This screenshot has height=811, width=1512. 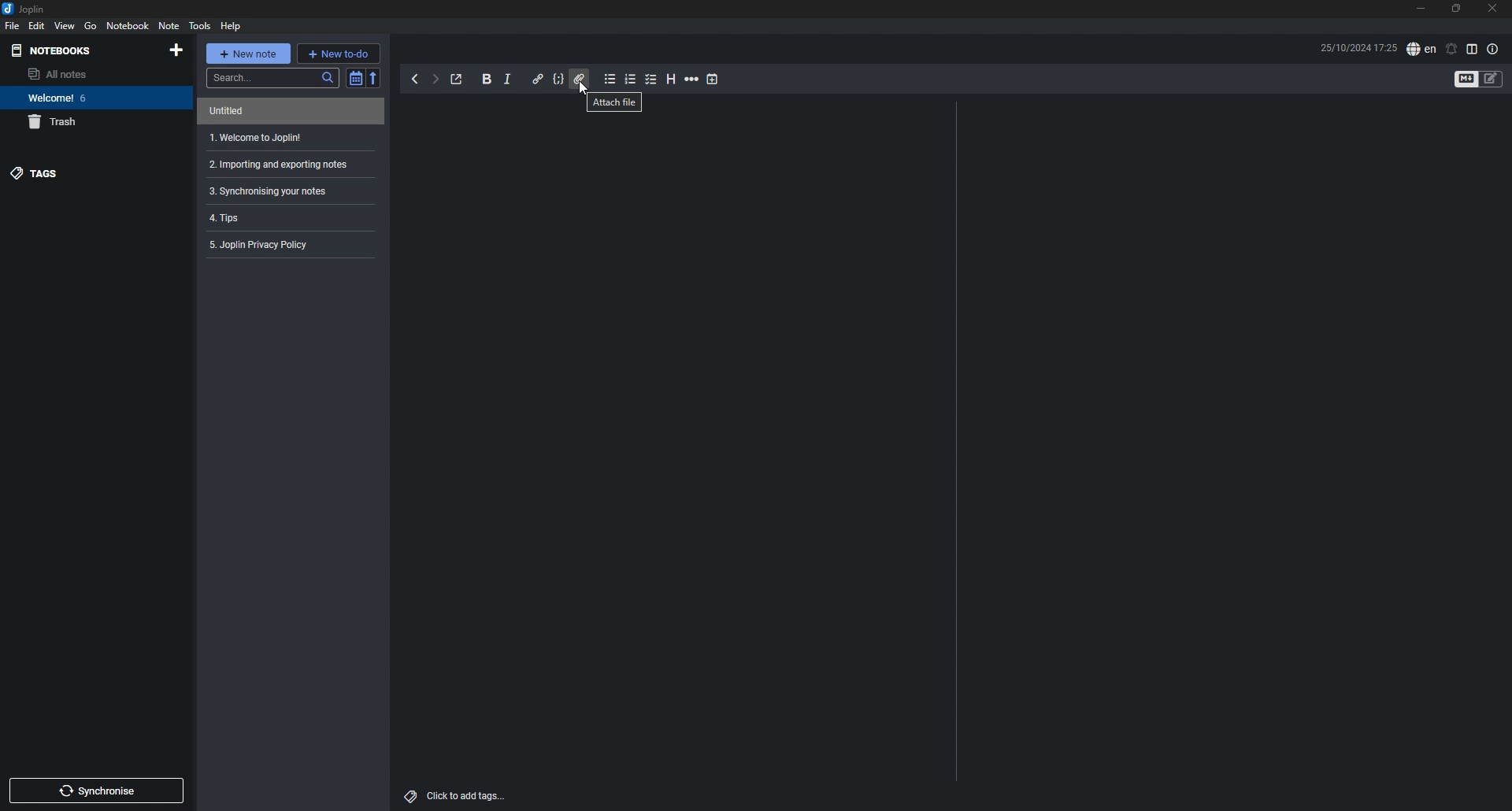 I want to click on welcome, so click(x=87, y=97).